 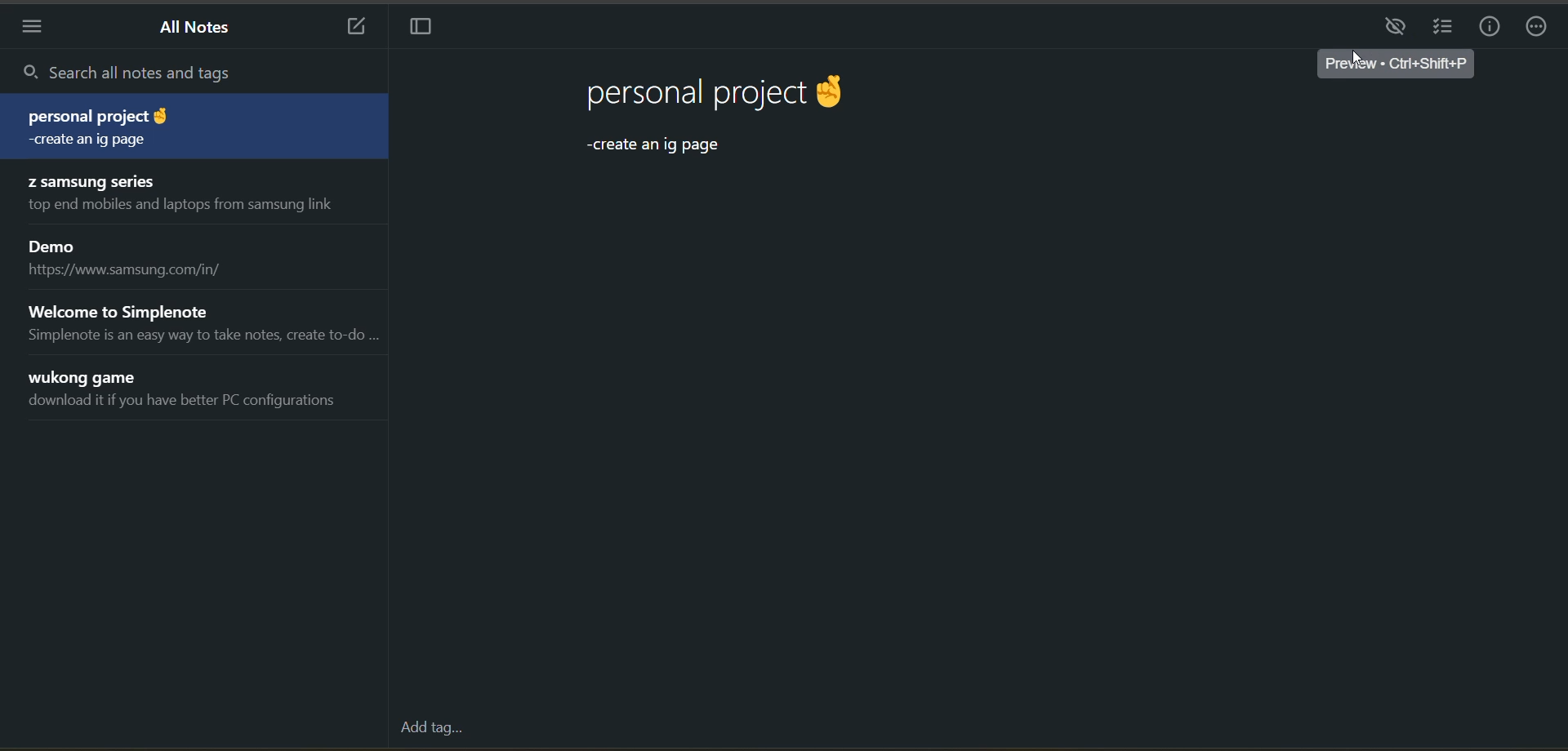 What do you see at coordinates (1539, 28) in the screenshot?
I see `actions` at bounding box center [1539, 28].